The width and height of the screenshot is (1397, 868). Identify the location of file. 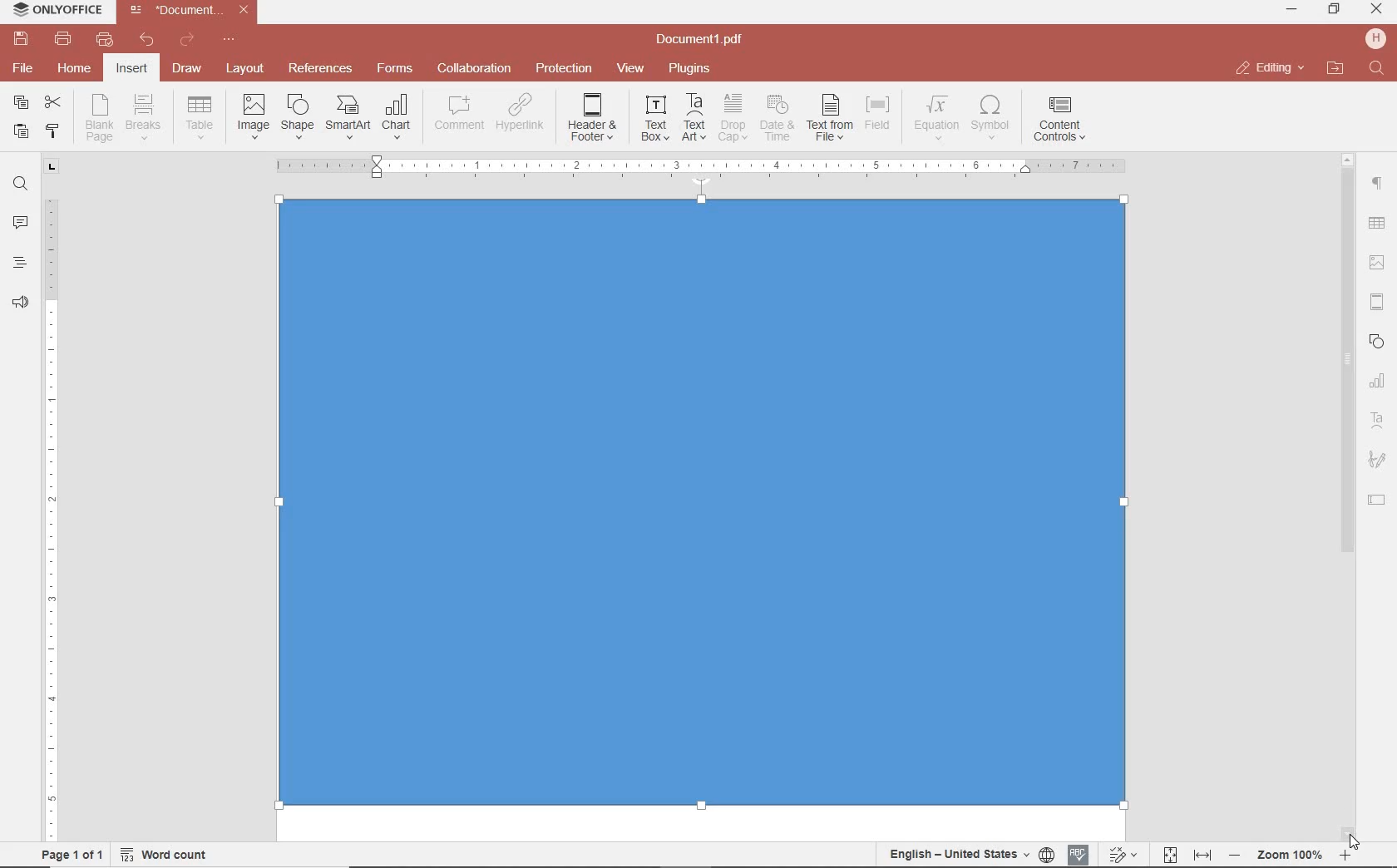
(24, 68).